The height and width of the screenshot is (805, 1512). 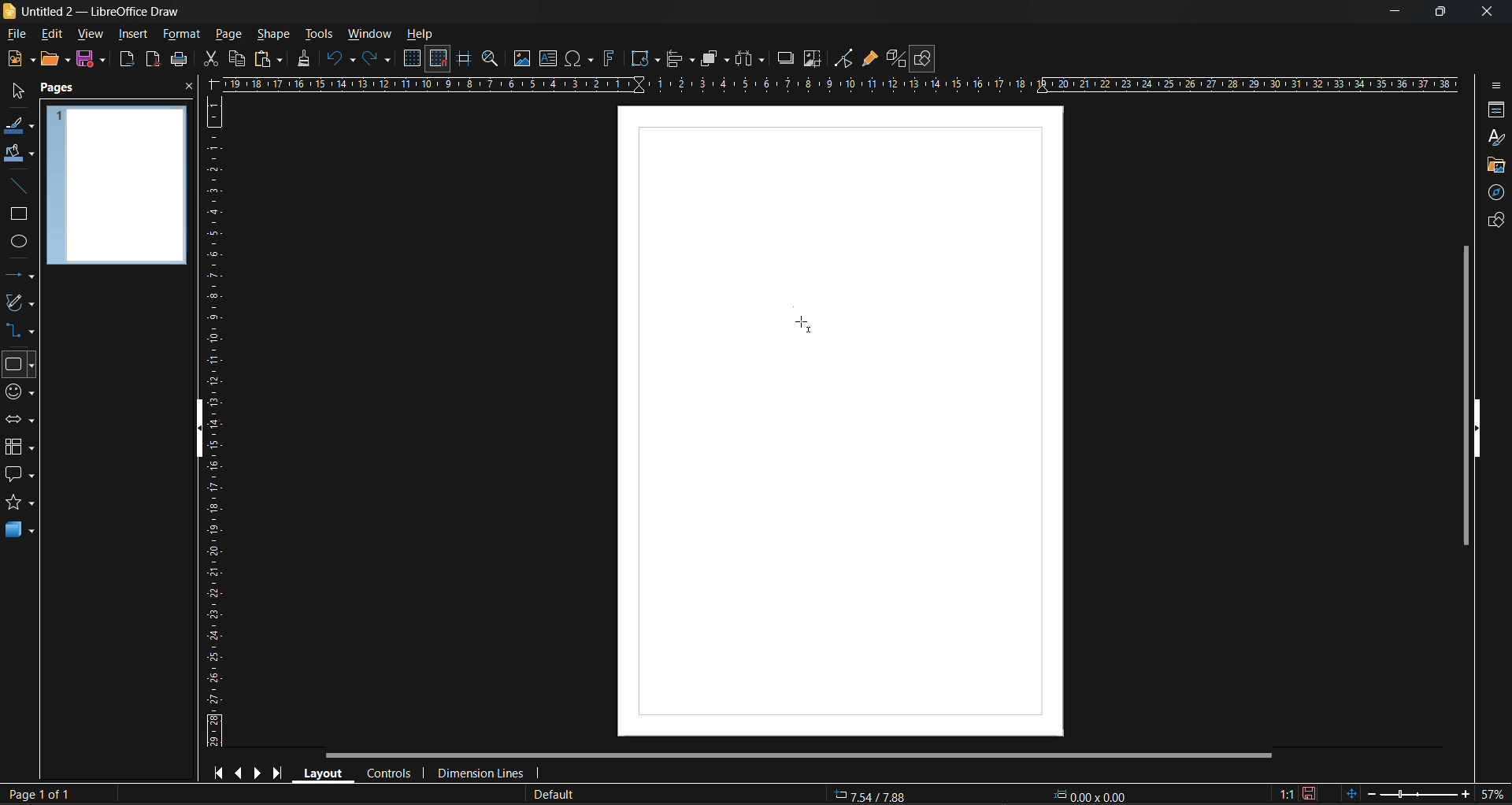 I want to click on image, so click(x=521, y=58).